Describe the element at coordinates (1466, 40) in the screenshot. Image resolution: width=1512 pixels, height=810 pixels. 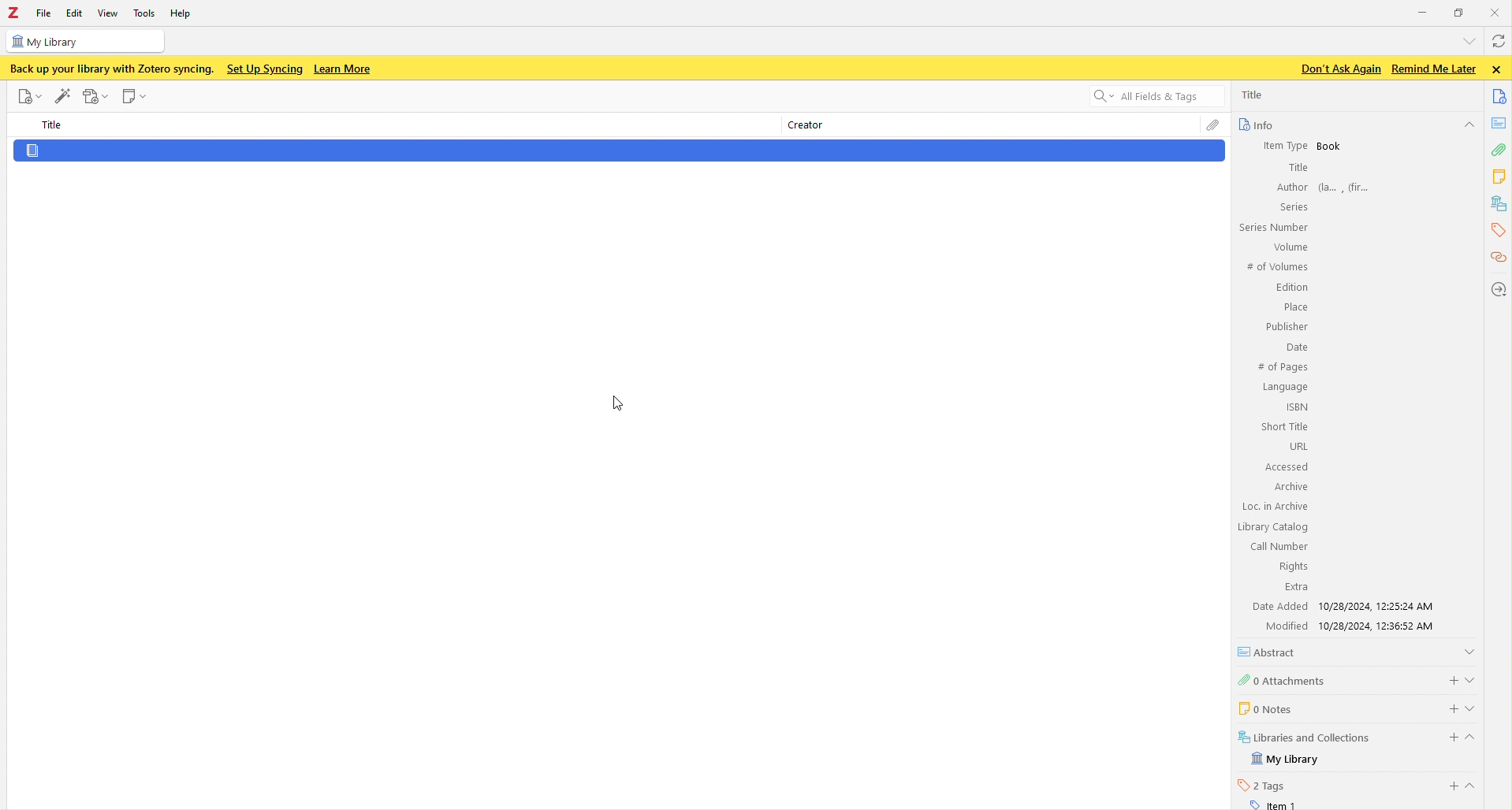
I see `dropdown` at that location.